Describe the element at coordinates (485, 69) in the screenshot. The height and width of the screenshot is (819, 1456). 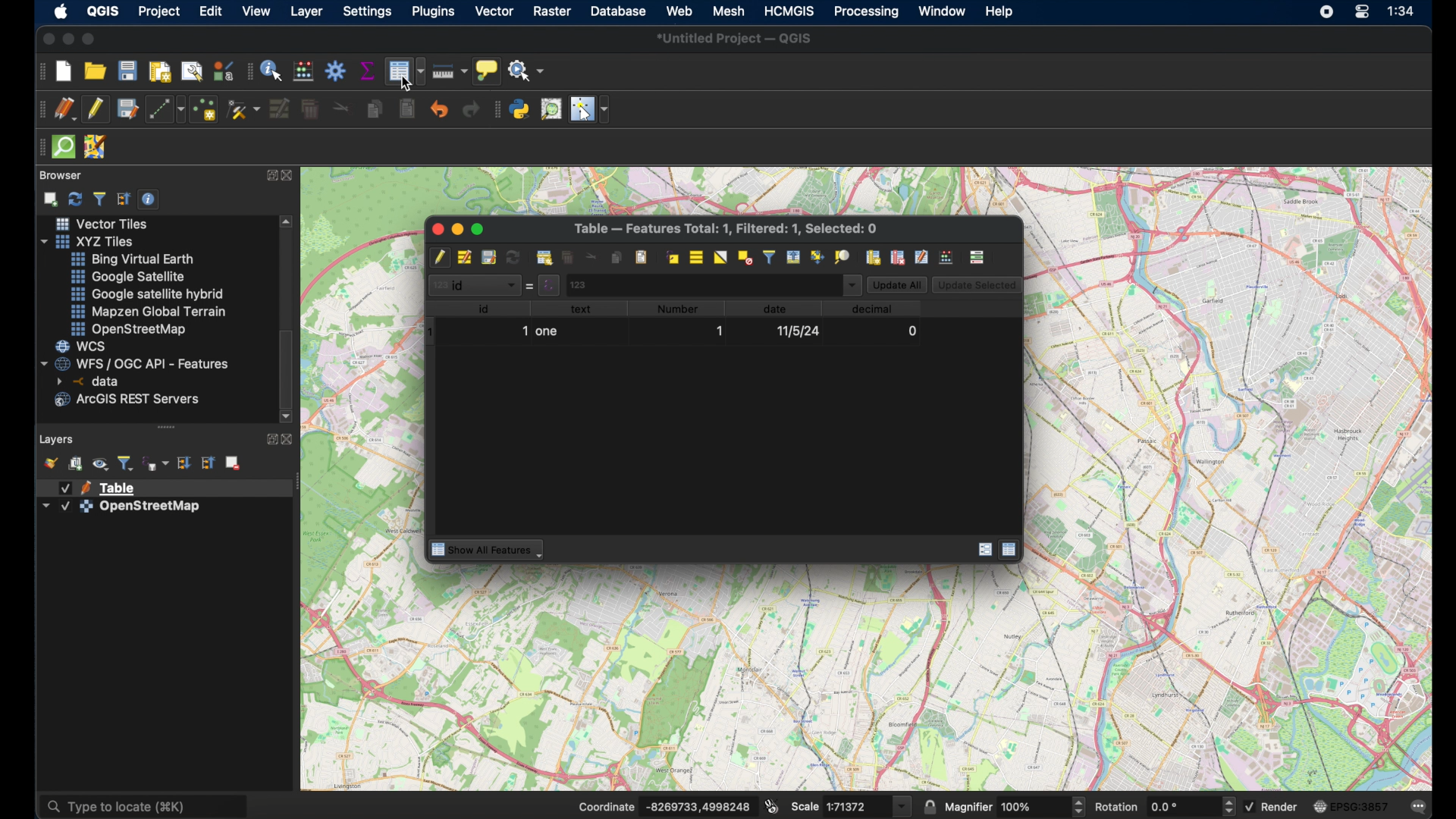
I see `show map tips` at that location.